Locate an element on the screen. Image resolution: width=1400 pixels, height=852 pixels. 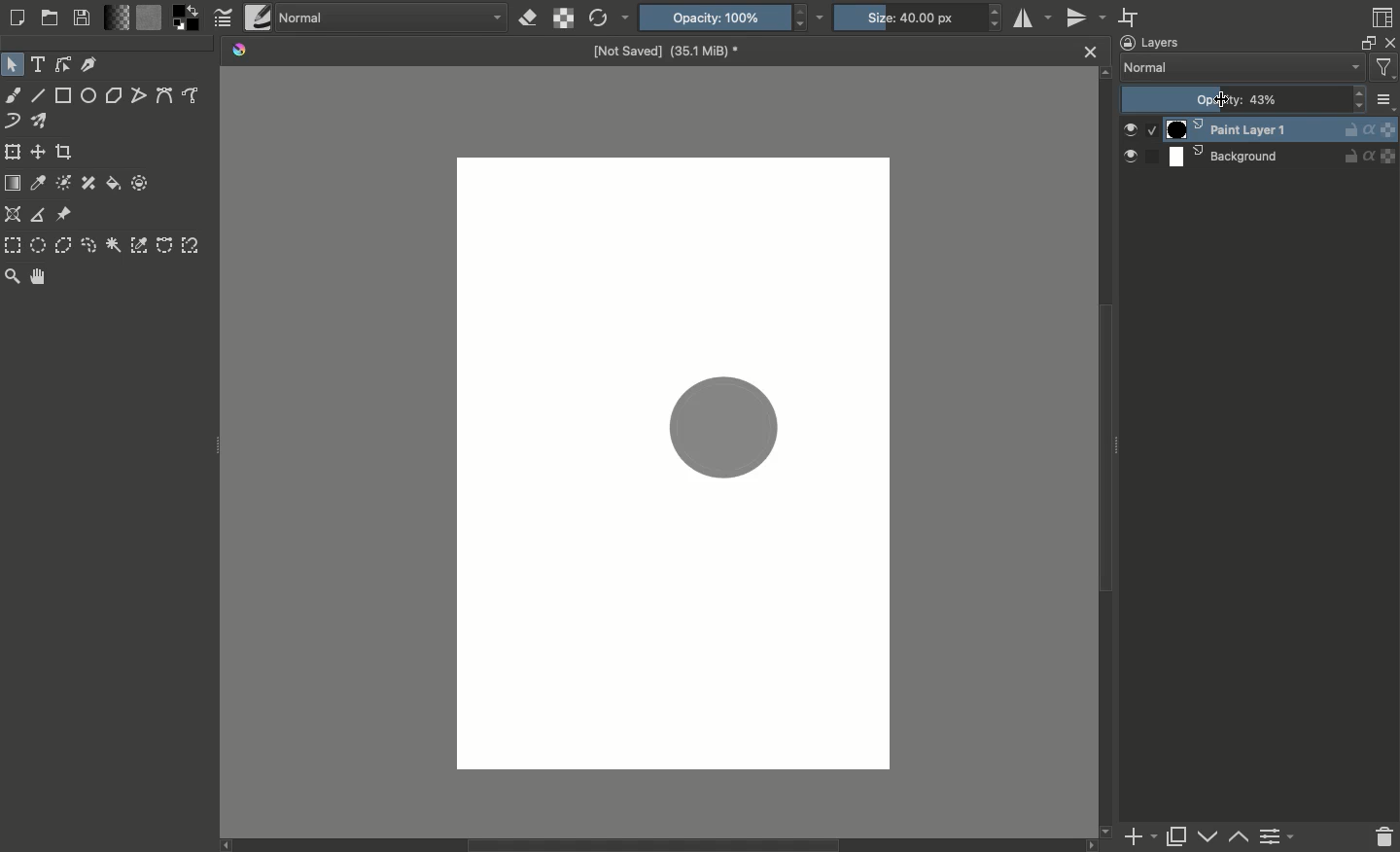
Rectangular selection tool is located at coordinates (12, 244).